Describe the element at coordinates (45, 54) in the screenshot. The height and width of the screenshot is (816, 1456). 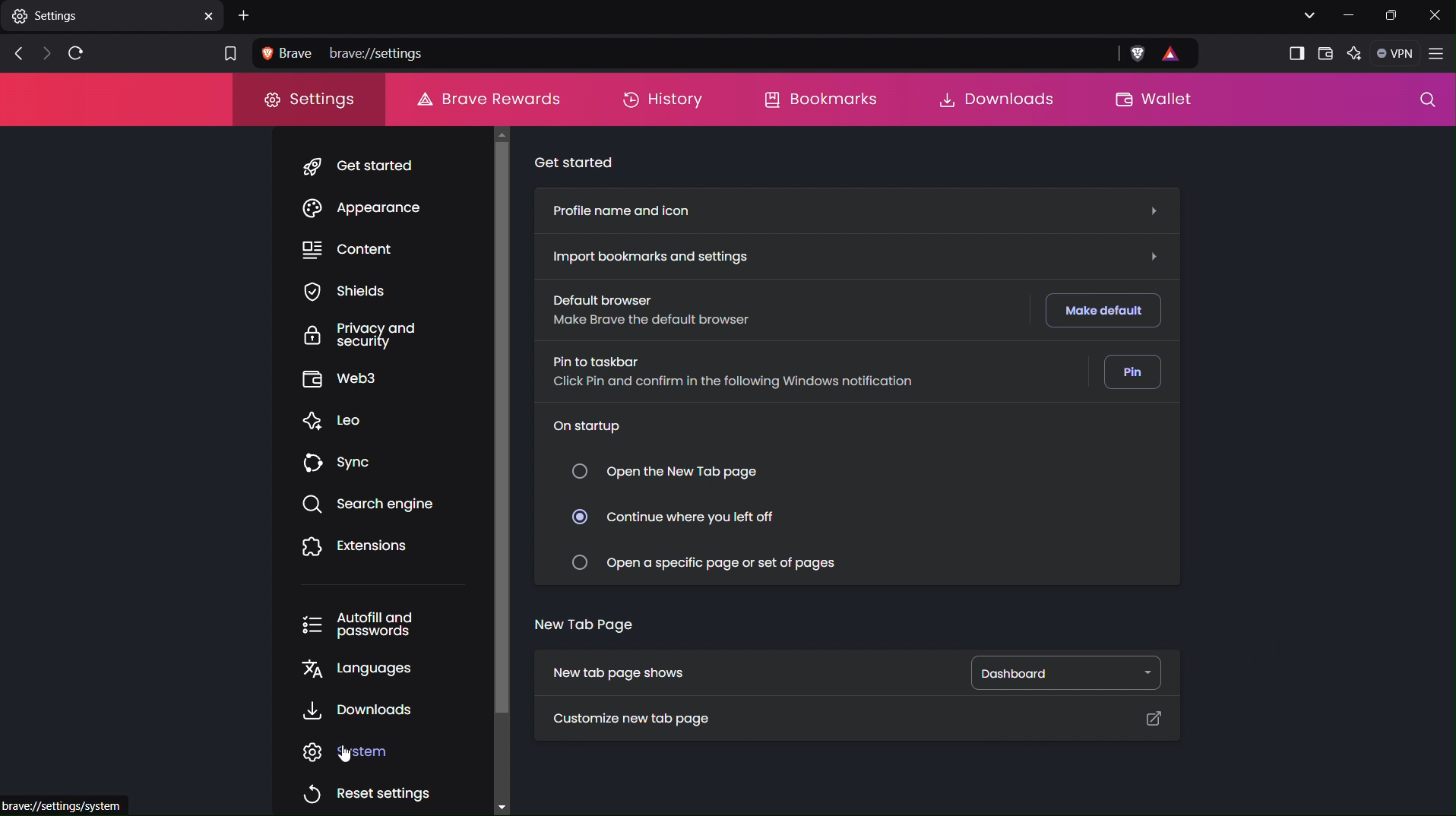
I see `Next tab` at that location.